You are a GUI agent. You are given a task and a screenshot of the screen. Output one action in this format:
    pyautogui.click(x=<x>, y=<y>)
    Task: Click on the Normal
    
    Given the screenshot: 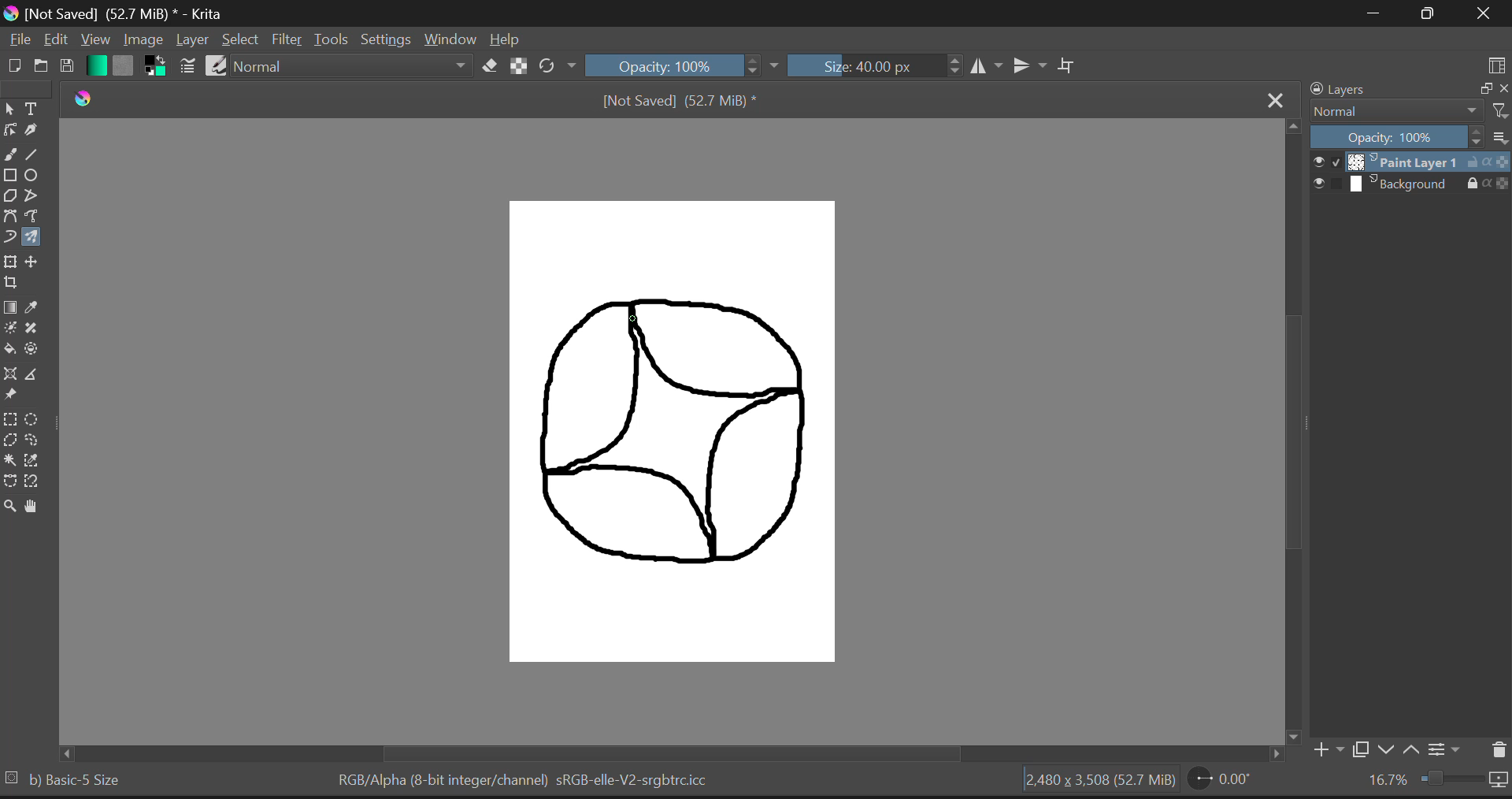 What is the action you would take?
    pyautogui.click(x=1395, y=111)
    